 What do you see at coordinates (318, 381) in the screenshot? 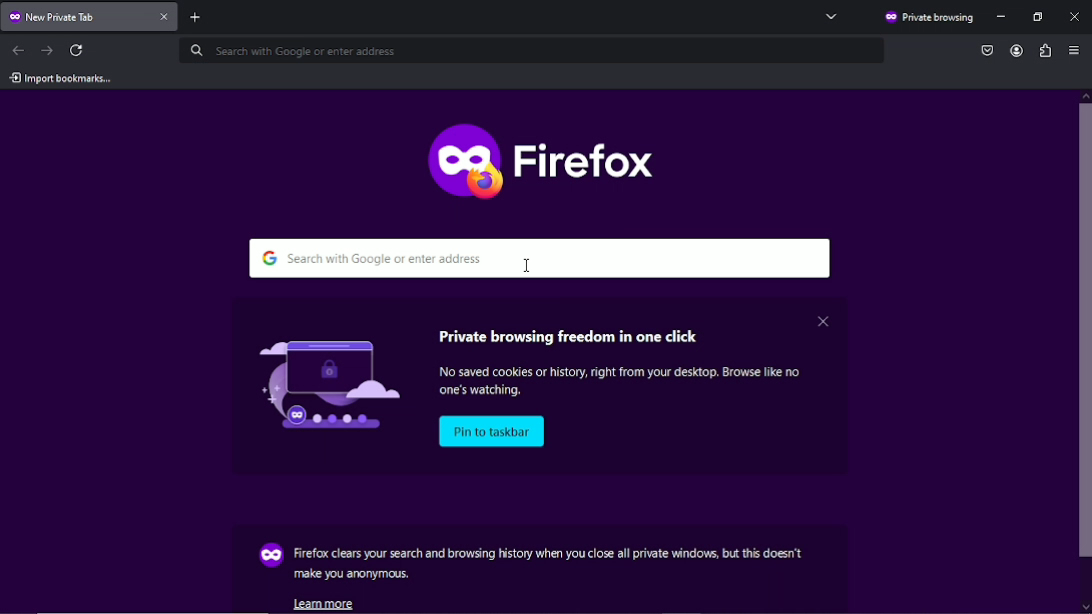
I see `logo` at bounding box center [318, 381].